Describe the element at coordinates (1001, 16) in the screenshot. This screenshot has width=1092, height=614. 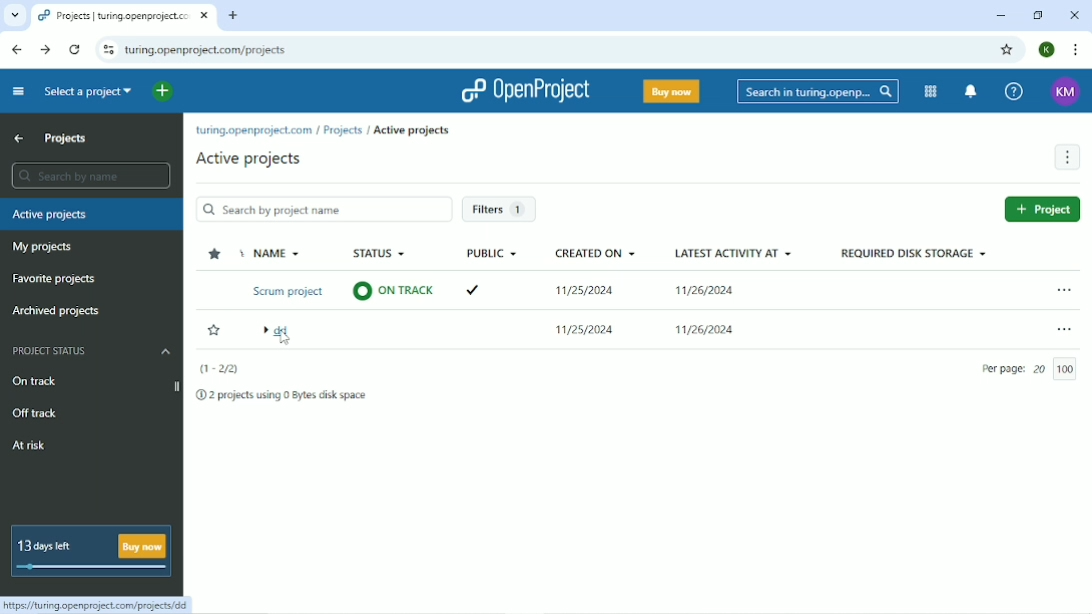
I see `Minimize` at that location.